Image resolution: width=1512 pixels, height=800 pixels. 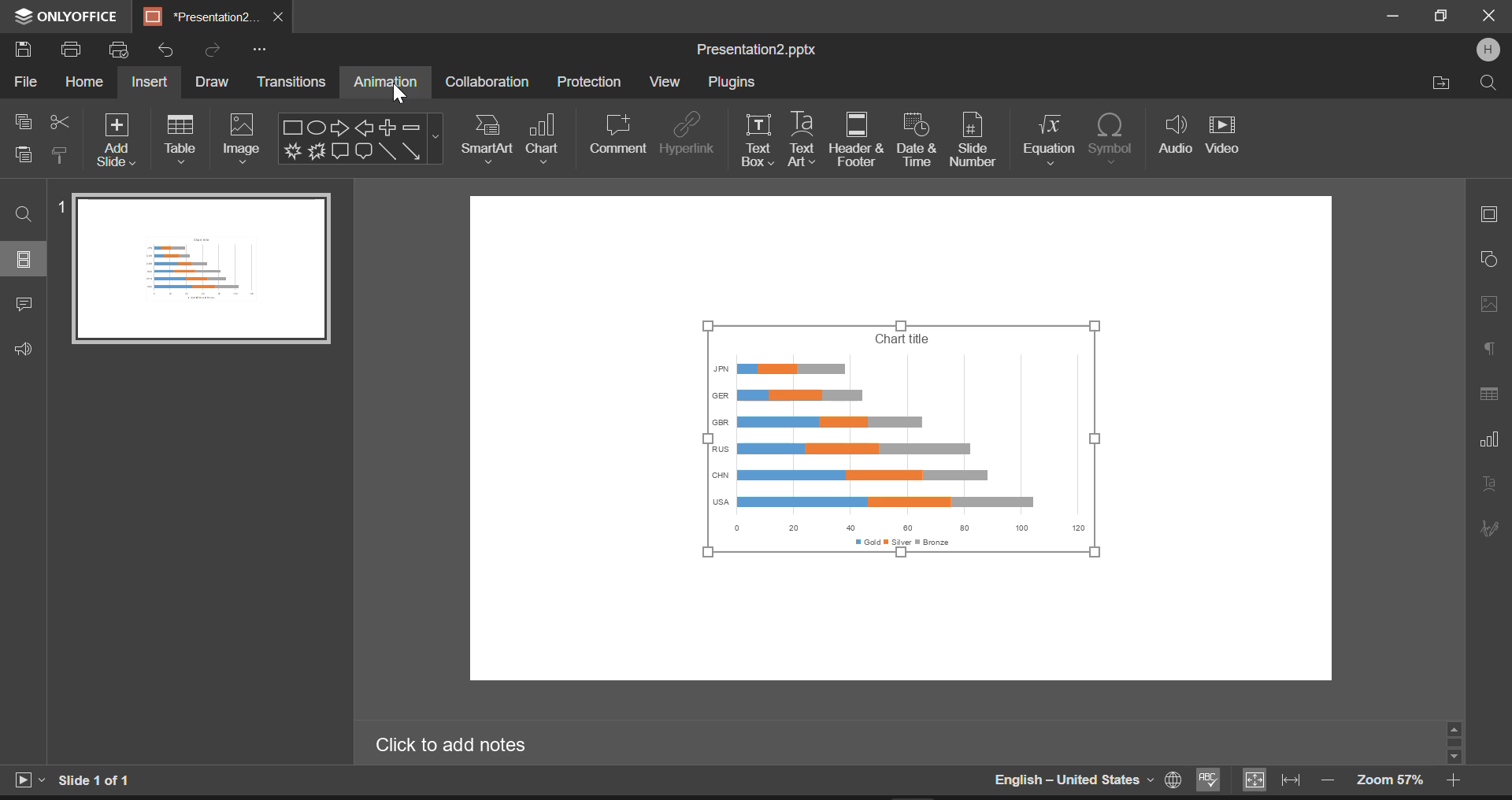 What do you see at coordinates (387, 128) in the screenshot?
I see `Plus` at bounding box center [387, 128].